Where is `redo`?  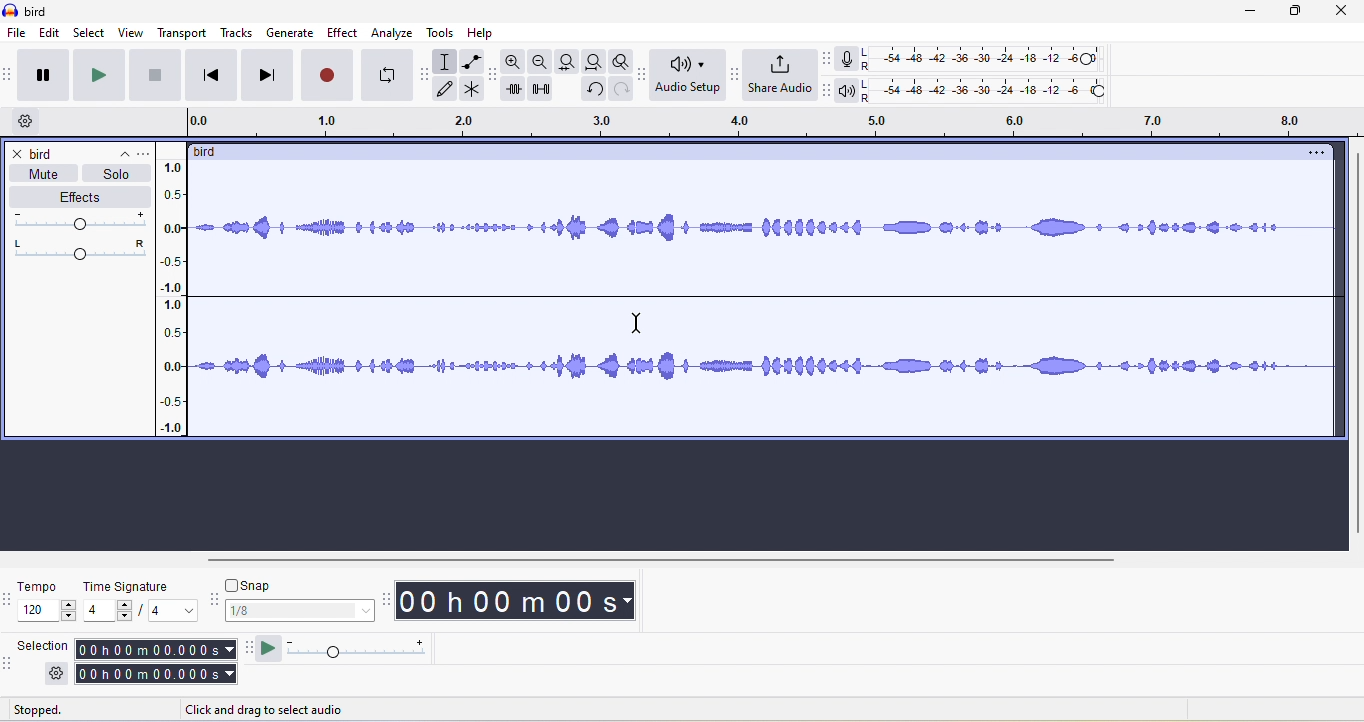 redo is located at coordinates (618, 95).